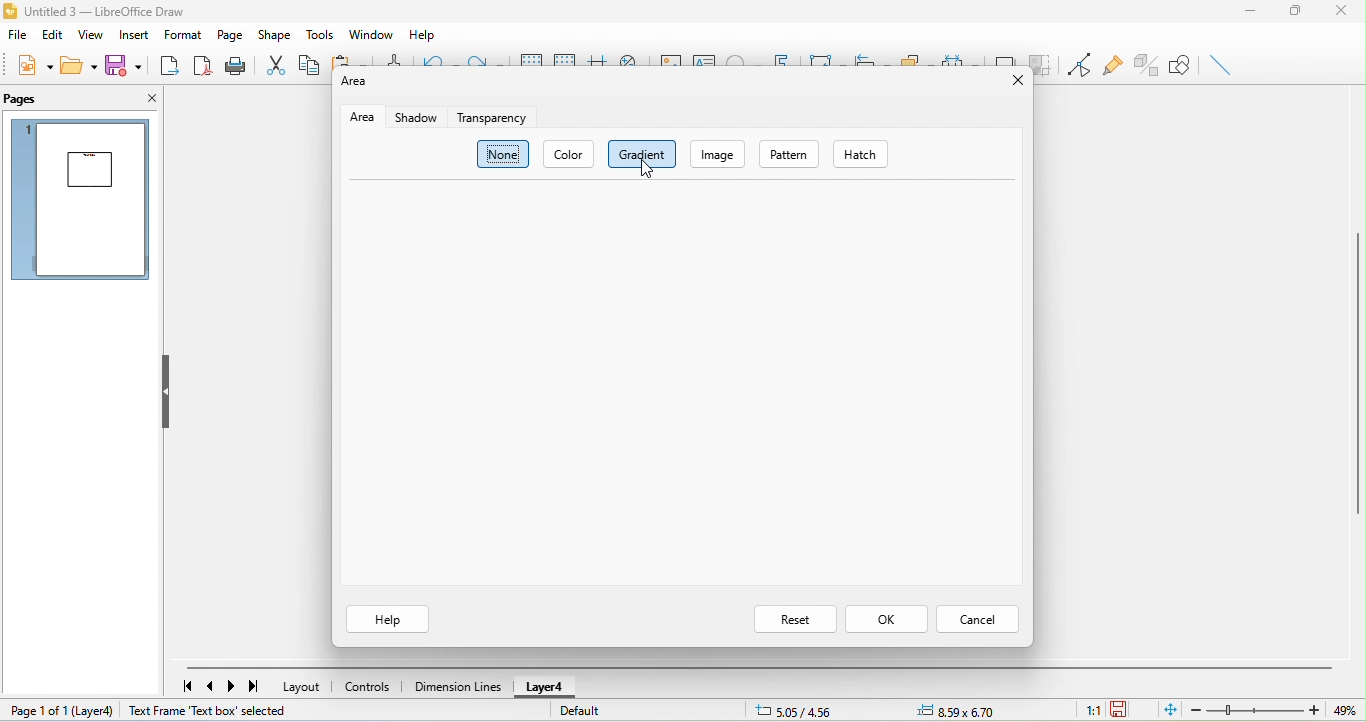 Image resolution: width=1366 pixels, height=722 pixels. What do you see at coordinates (486, 58) in the screenshot?
I see `redo` at bounding box center [486, 58].